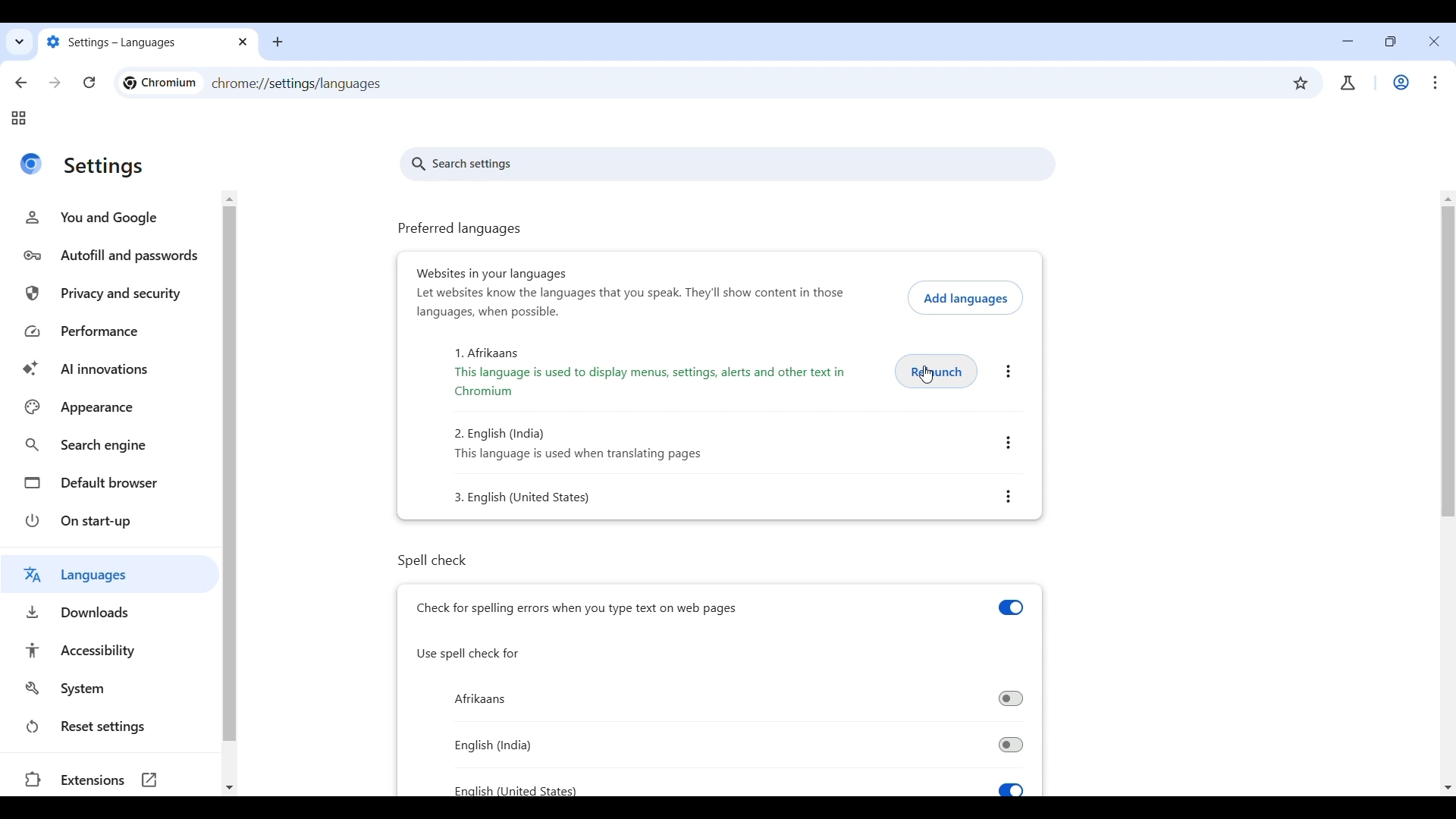  Describe the element at coordinates (232, 196) in the screenshot. I see `Quick slide to top` at that location.